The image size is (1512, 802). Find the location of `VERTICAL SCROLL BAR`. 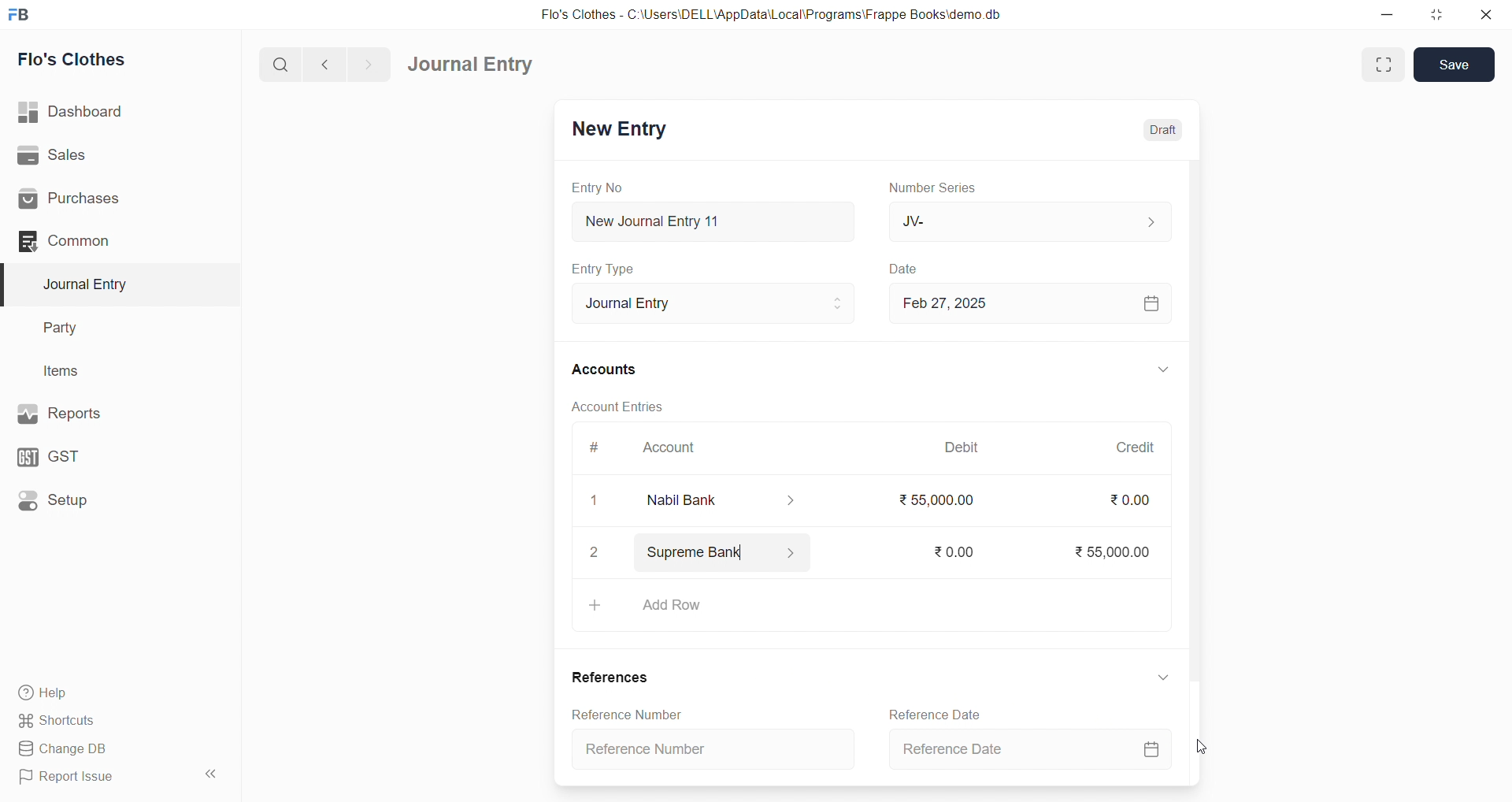

VERTICAL SCROLL BAR is located at coordinates (1192, 472).